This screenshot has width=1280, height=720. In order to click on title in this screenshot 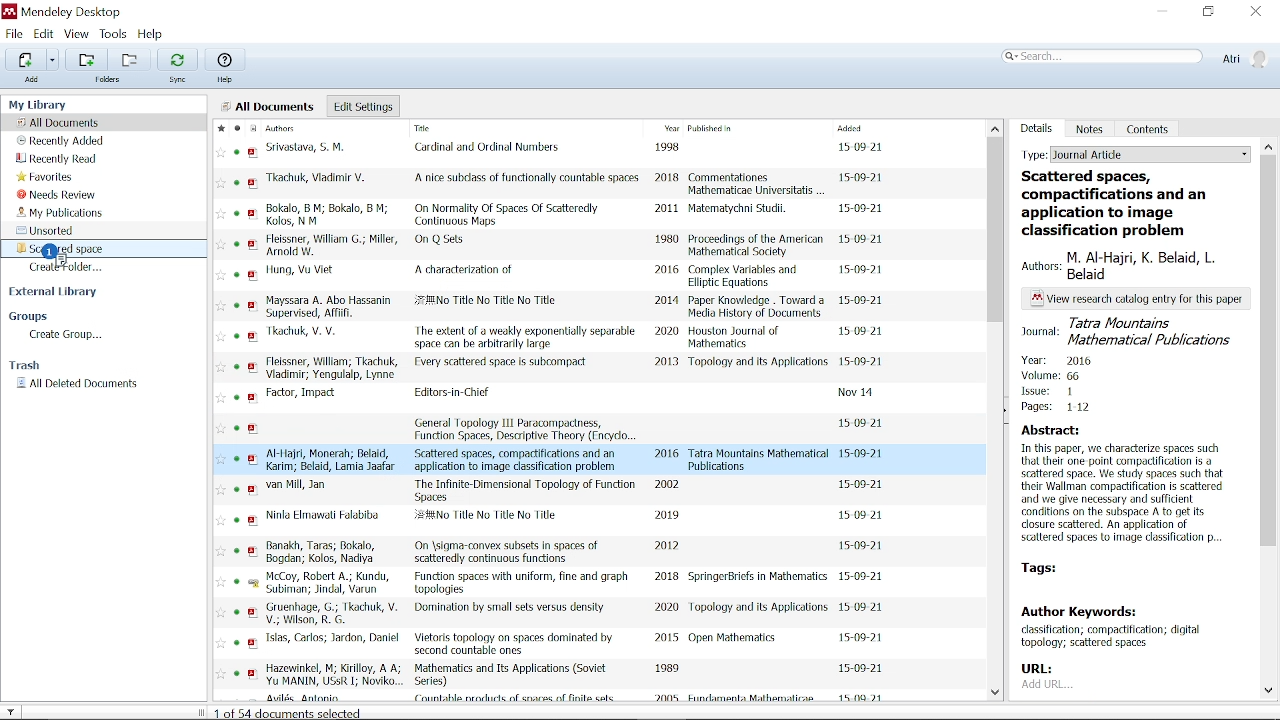, I will do `click(527, 428)`.